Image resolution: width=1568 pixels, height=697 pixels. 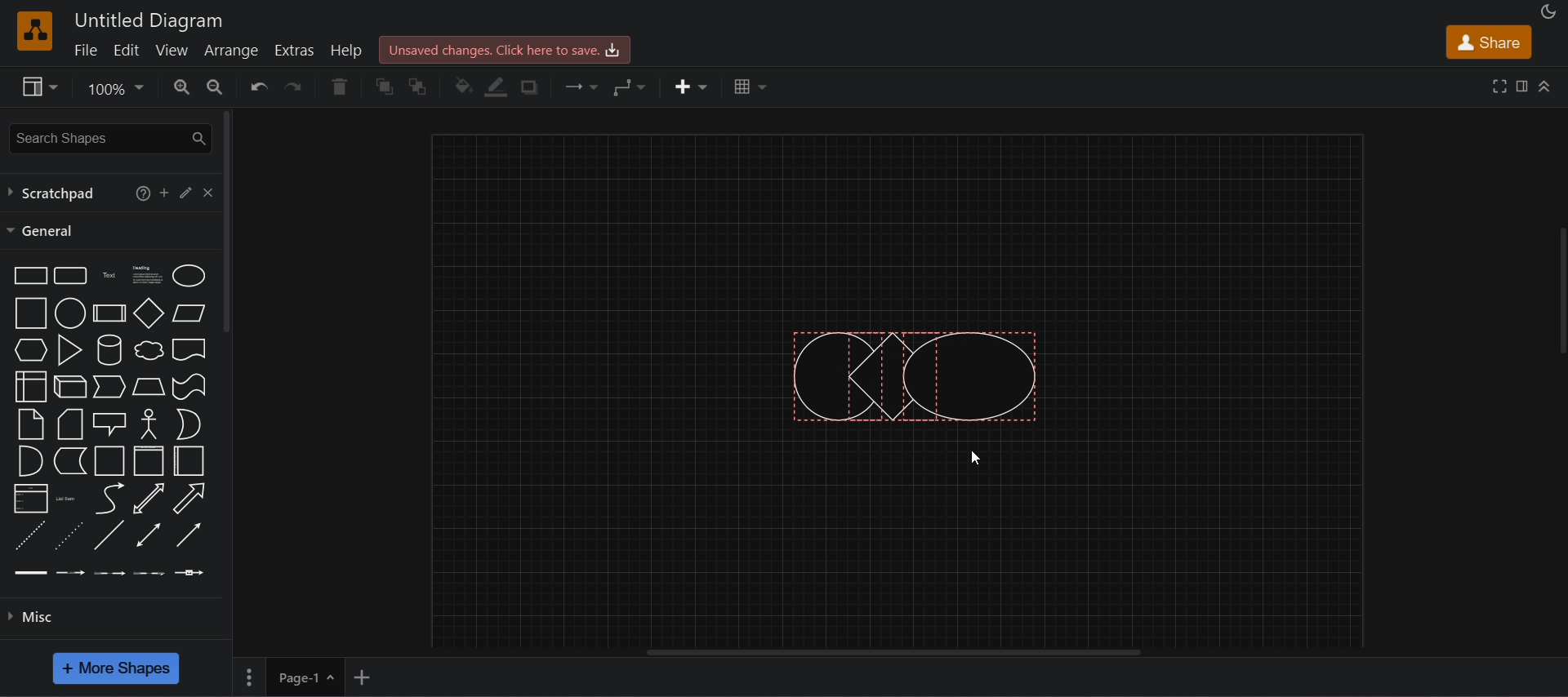 I want to click on Vertical container, so click(x=149, y=461).